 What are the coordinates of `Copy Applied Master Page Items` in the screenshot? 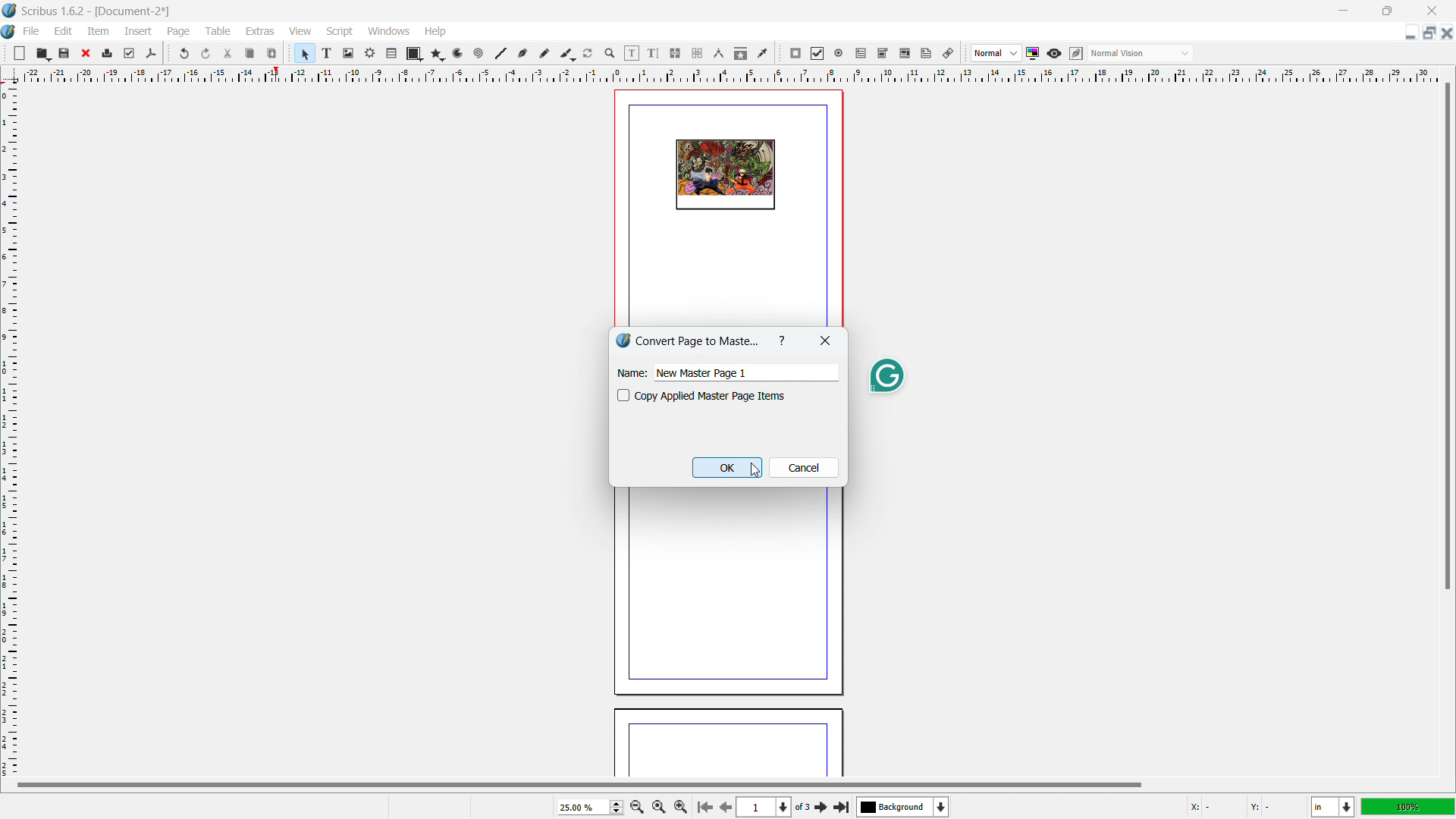 It's located at (711, 396).